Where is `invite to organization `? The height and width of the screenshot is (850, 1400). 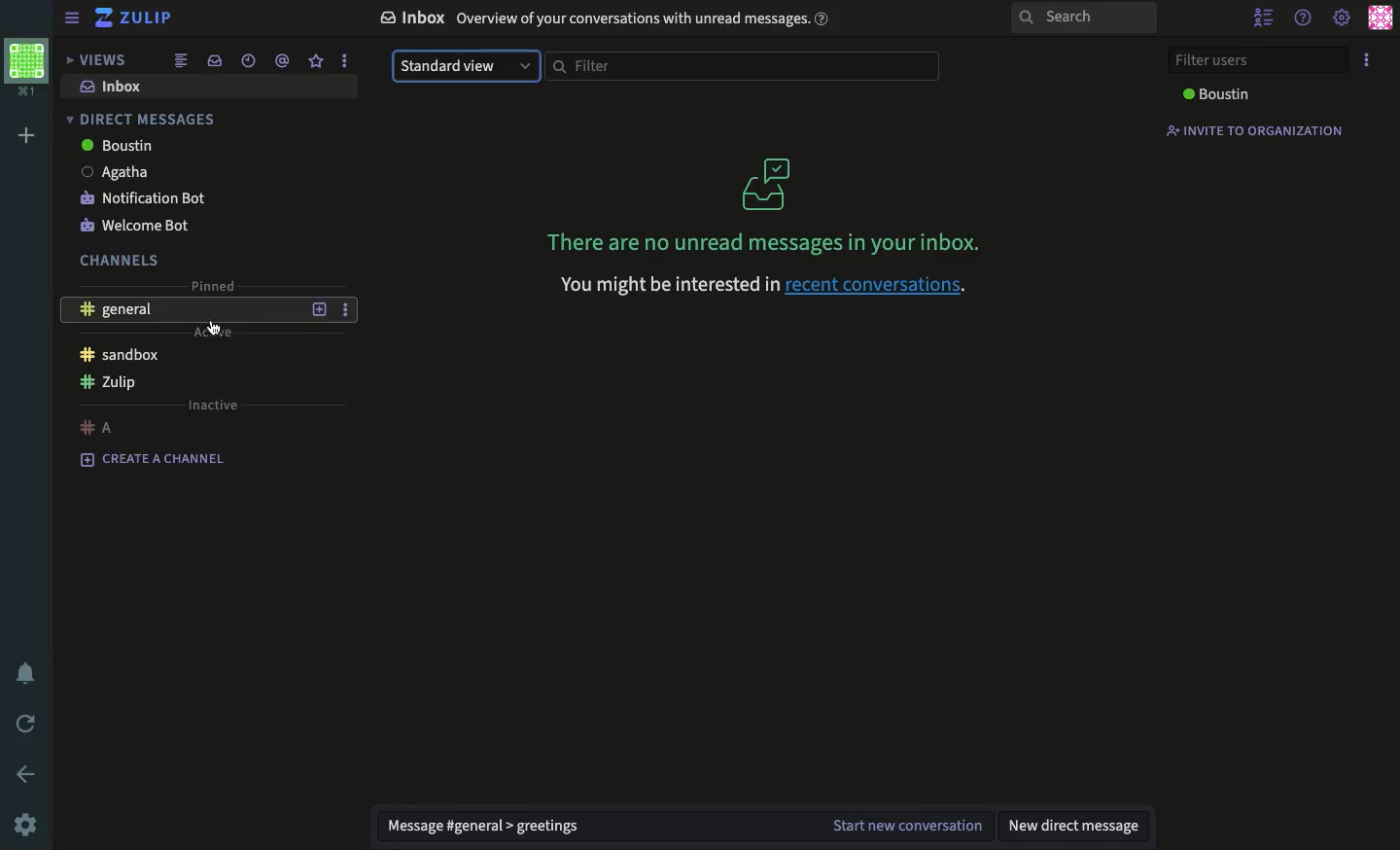 invite to organization  is located at coordinates (1246, 130).